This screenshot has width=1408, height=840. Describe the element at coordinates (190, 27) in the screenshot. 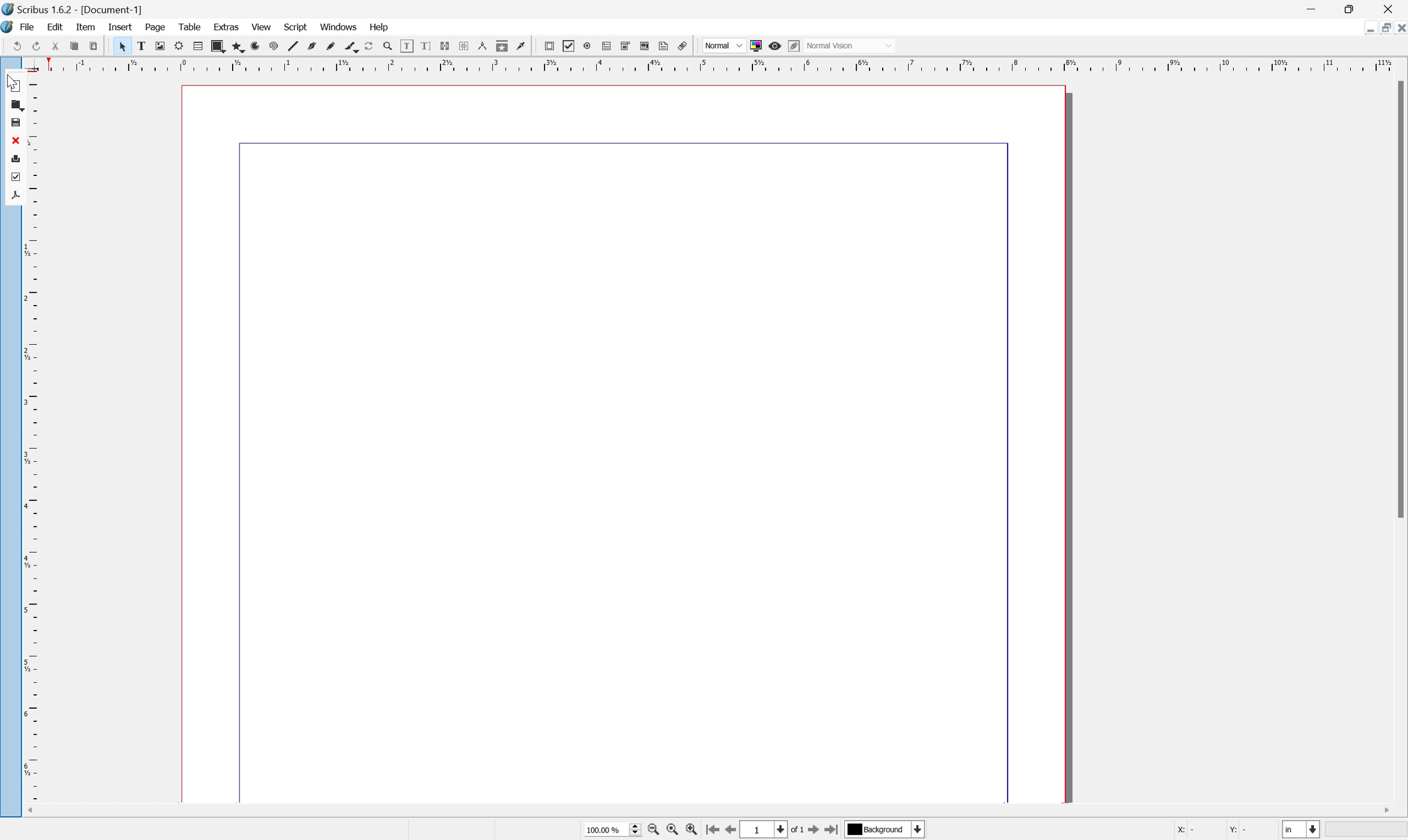

I see `table` at that location.